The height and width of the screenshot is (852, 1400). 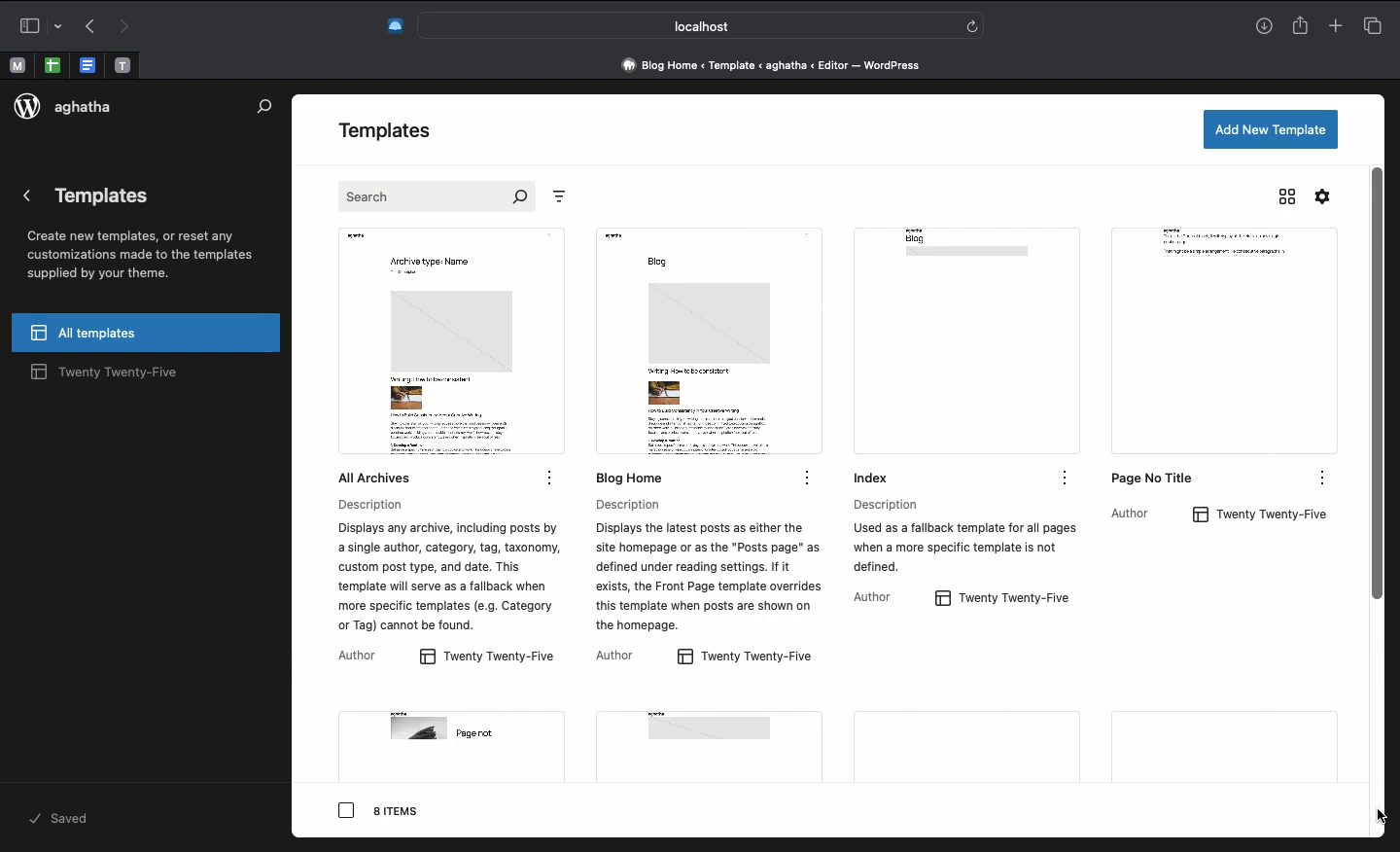 I want to click on all Archives, so click(x=442, y=359).